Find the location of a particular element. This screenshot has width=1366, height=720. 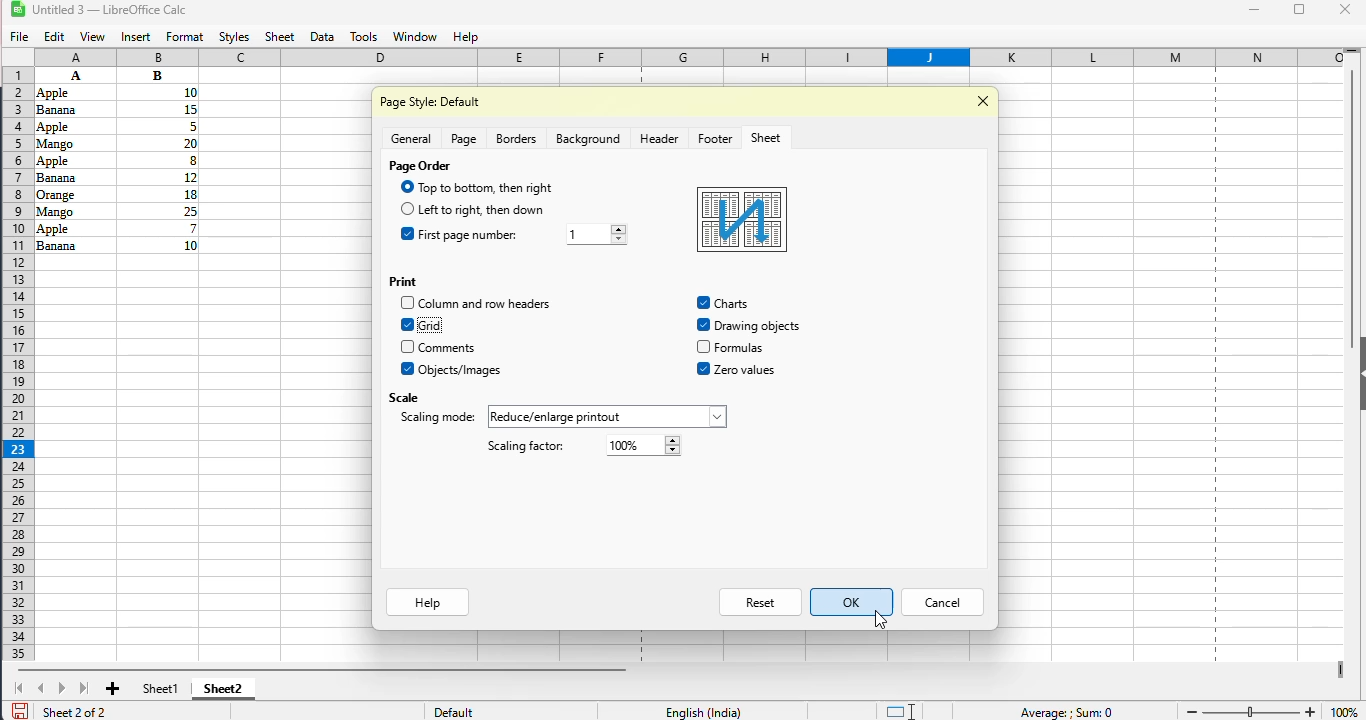

100% (zoom level) is located at coordinates (1345, 708).